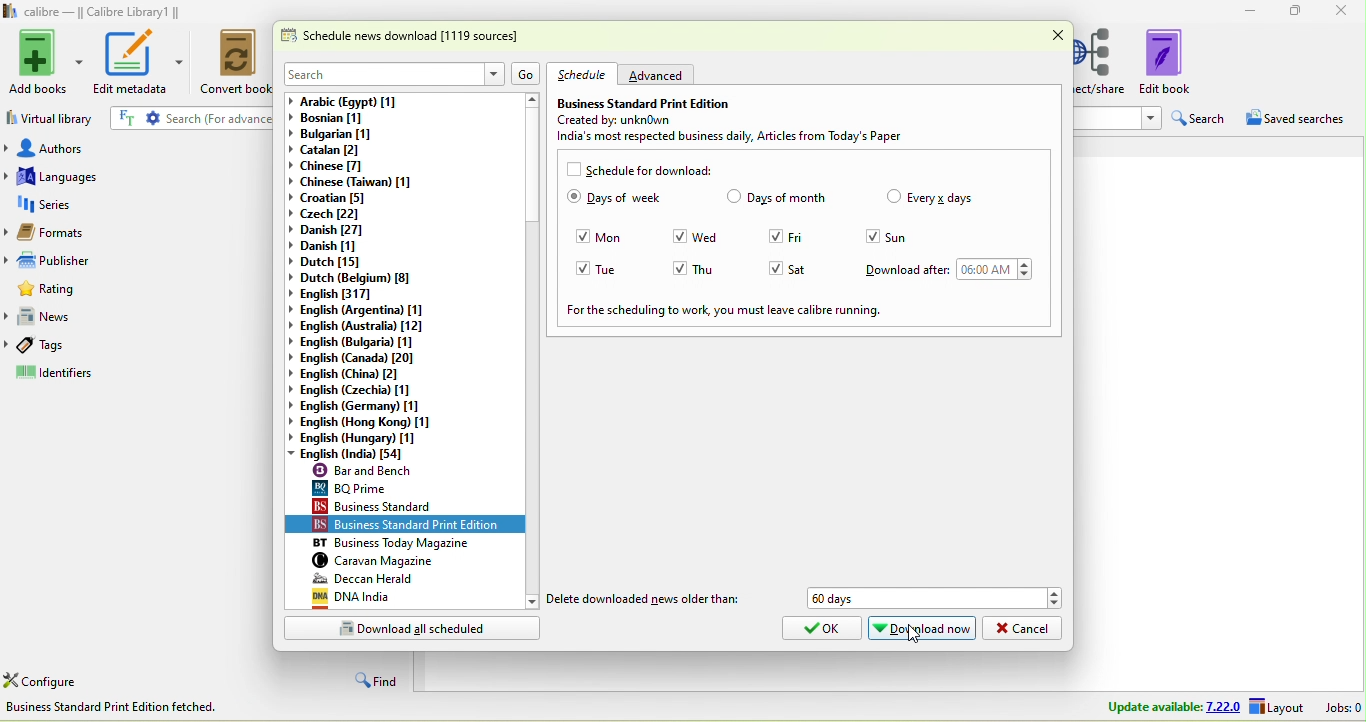 Image resolution: width=1366 pixels, height=722 pixels. Describe the element at coordinates (1300, 12) in the screenshot. I see `maximize` at that location.